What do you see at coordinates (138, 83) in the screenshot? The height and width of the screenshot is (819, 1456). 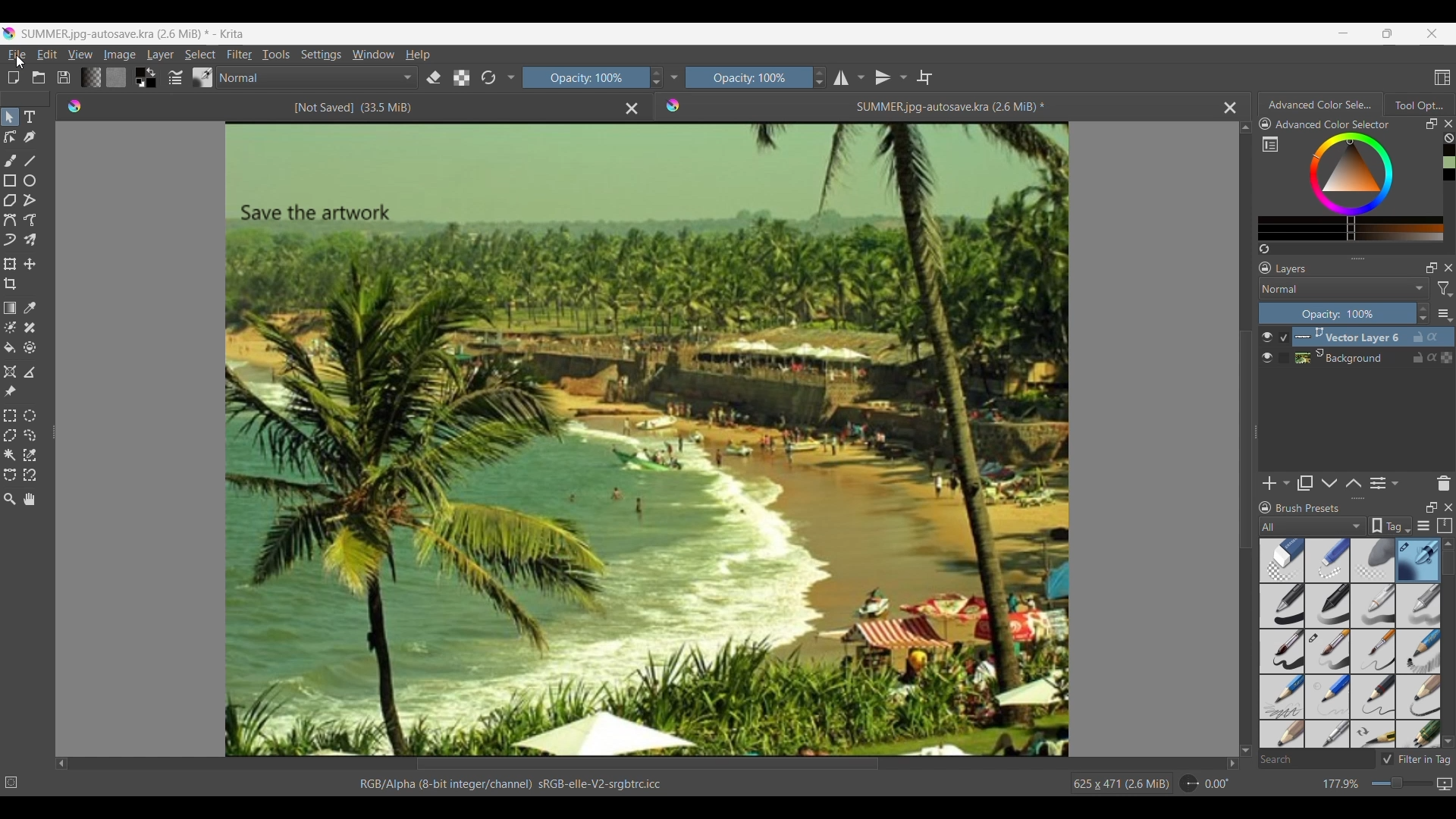 I see `Set background and foreground color to black and white respectively` at bounding box center [138, 83].